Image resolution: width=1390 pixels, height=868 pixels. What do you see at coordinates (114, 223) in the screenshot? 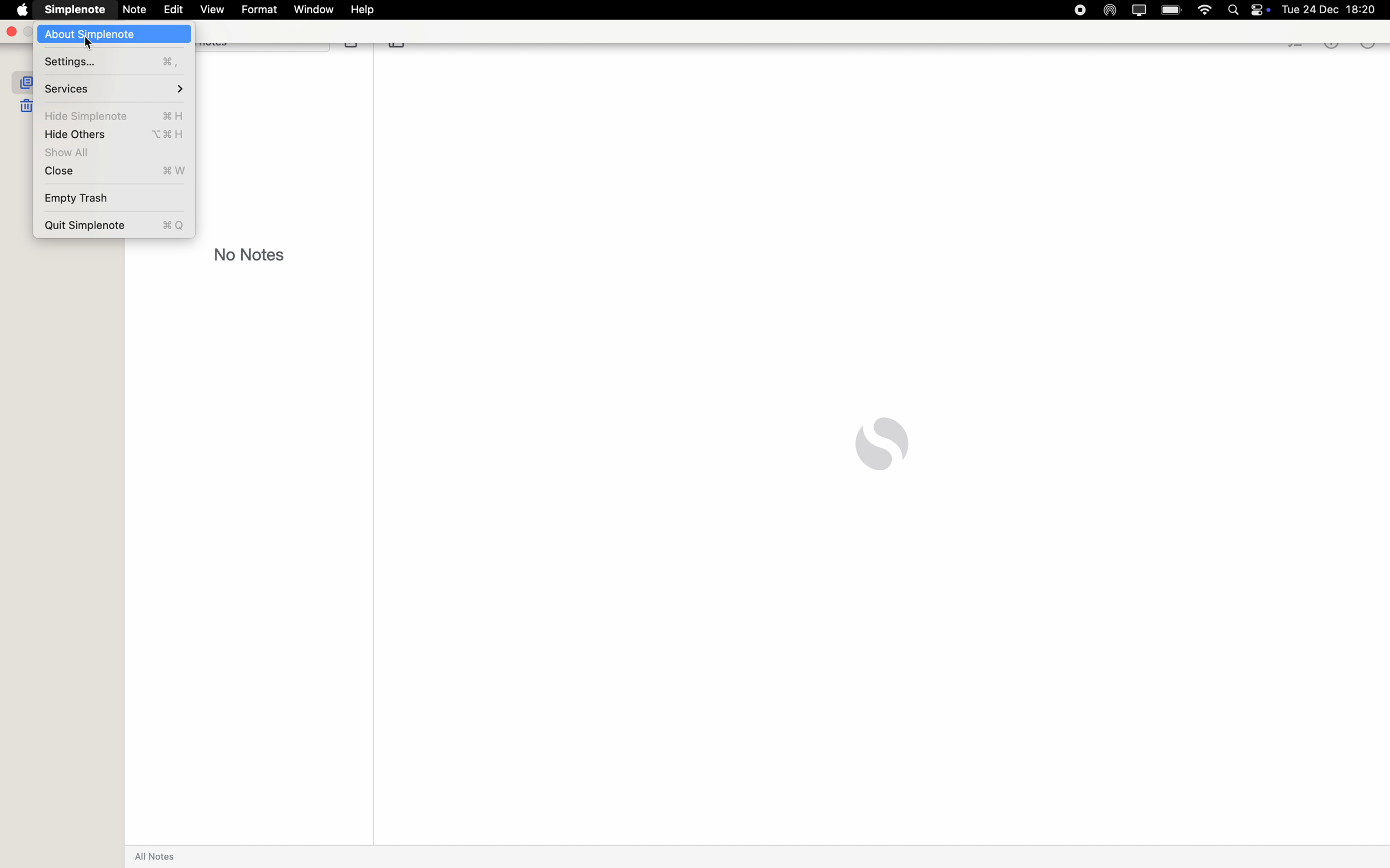
I see `Quit Simplenote` at bounding box center [114, 223].